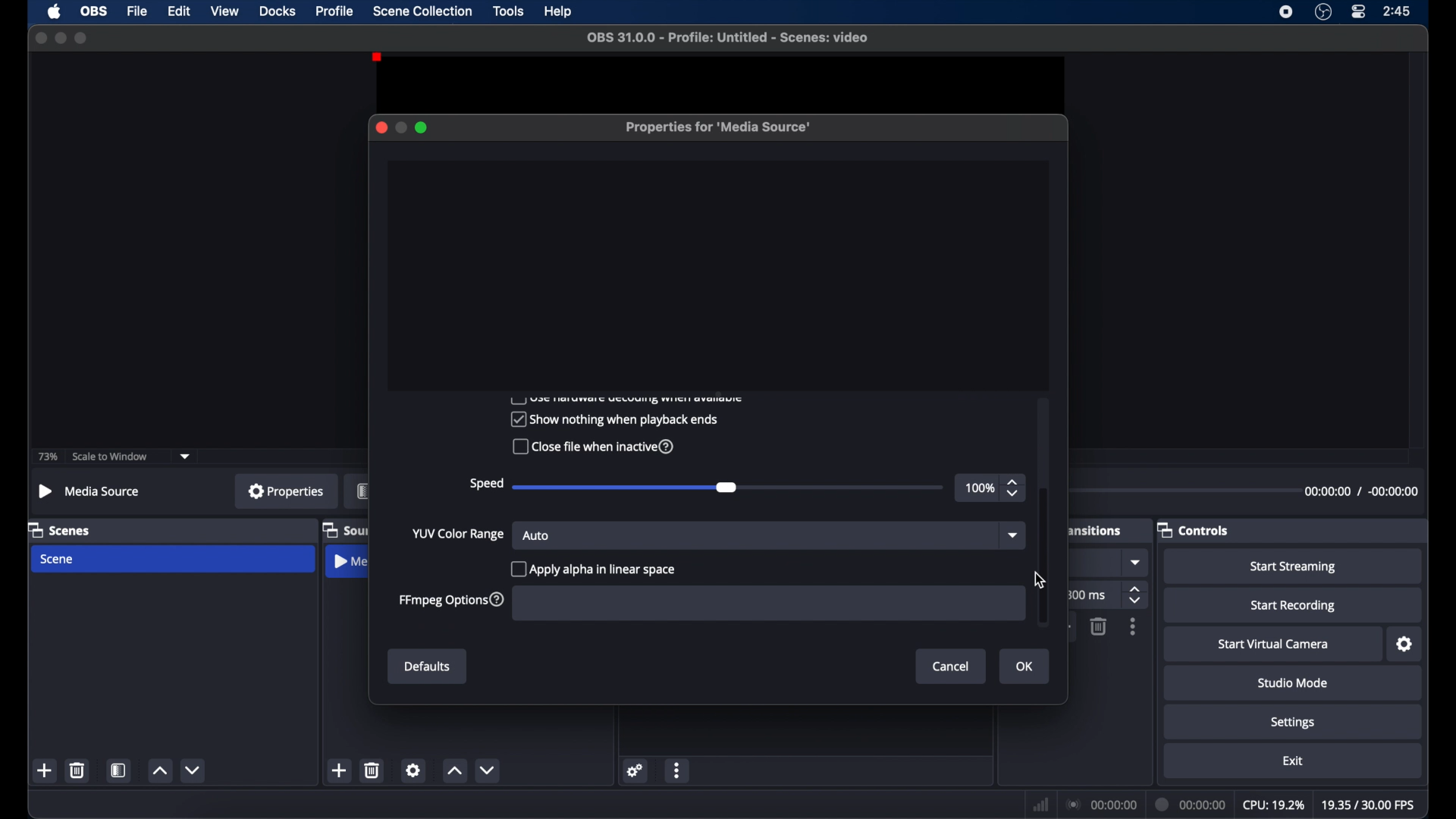 The image size is (1456, 819). Describe the element at coordinates (159, 771) in the screenshot. I see `increment` at that location.